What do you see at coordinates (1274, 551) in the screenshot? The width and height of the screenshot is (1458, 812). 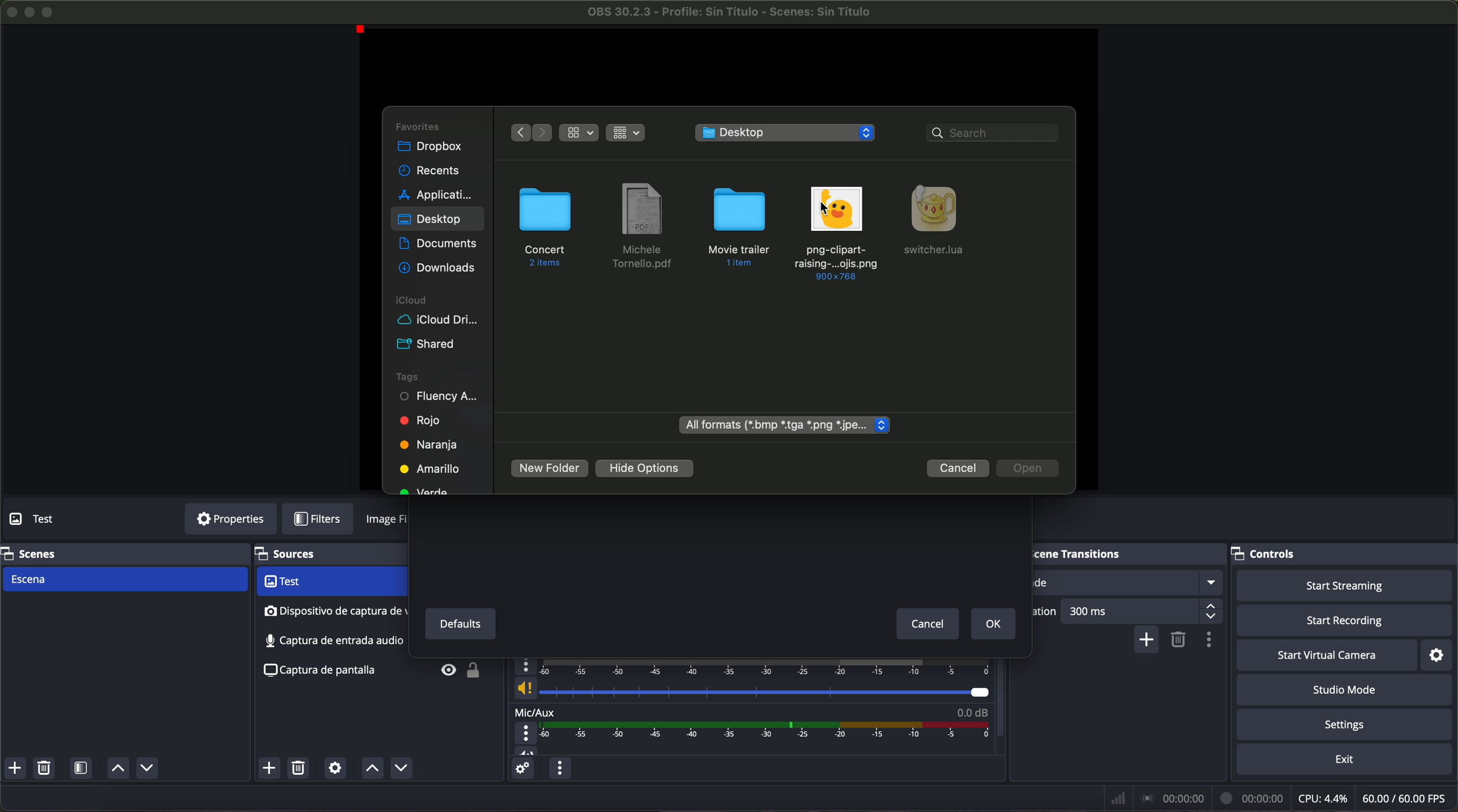 I see `controls` at bounding box center [1274, 551].